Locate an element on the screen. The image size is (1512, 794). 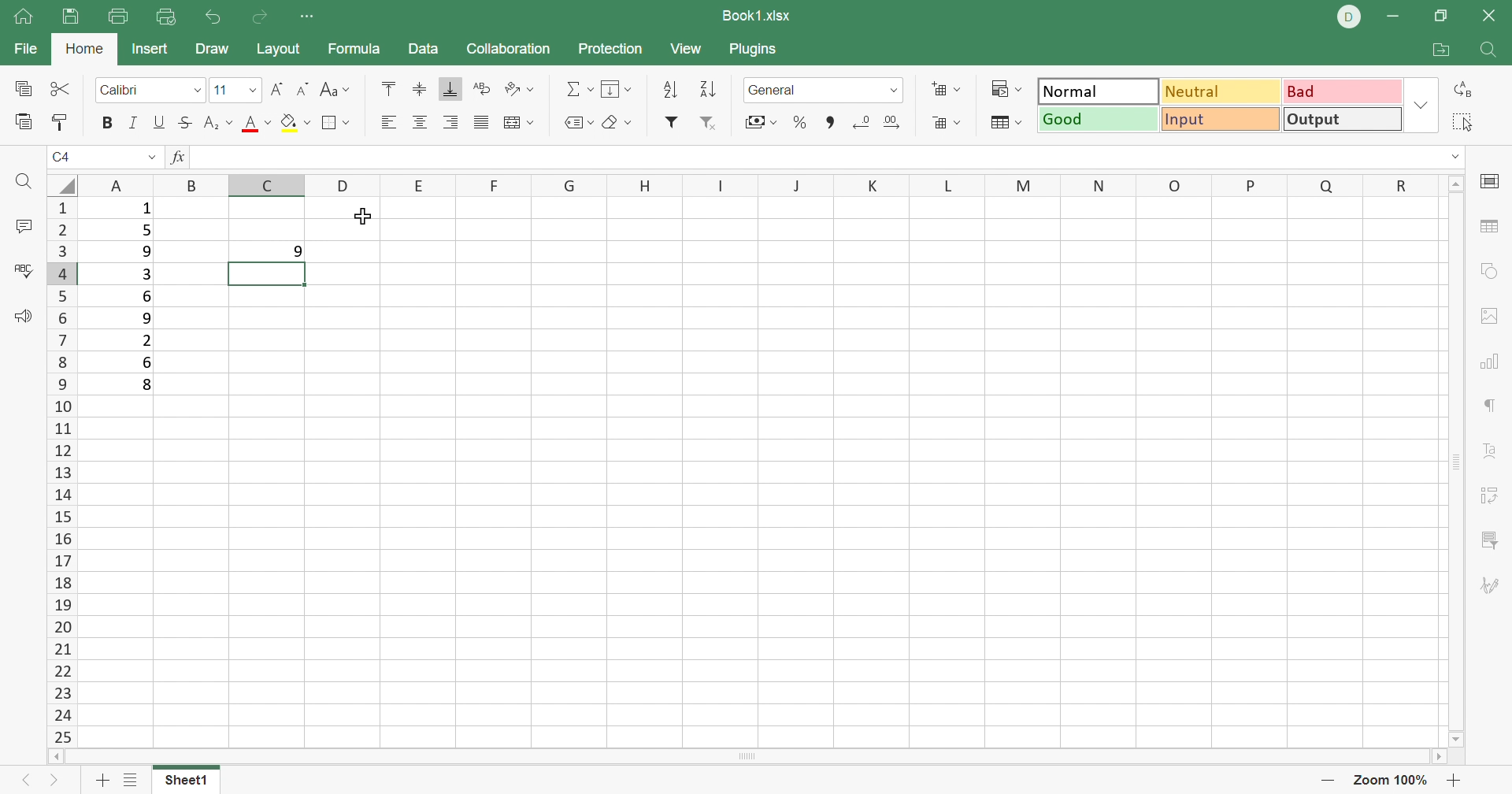
Close is located at coordinates (1493, 15).